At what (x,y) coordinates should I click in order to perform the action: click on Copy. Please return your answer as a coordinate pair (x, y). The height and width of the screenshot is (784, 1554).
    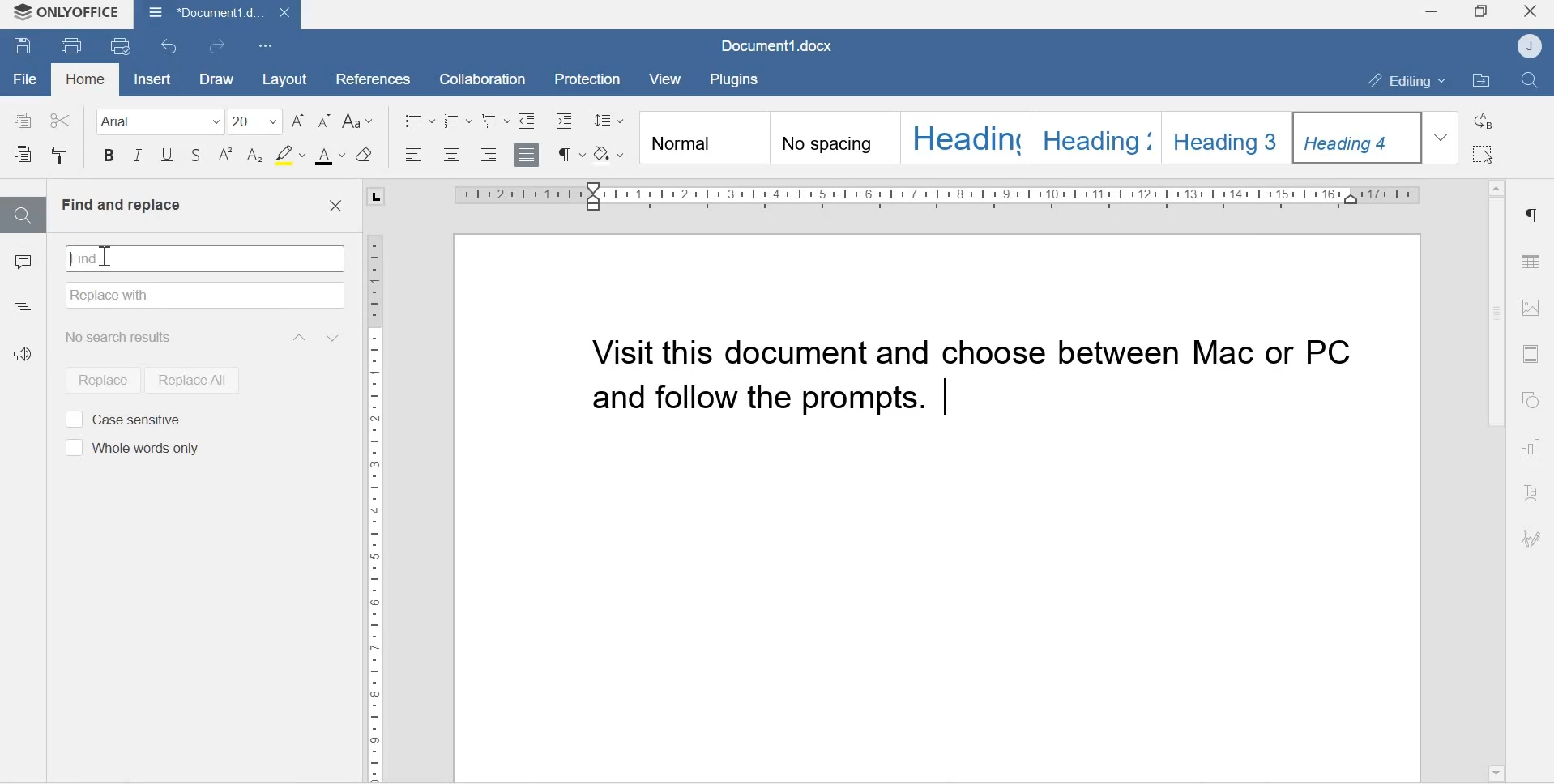
    Looking at the image, I should click on (23, 119).